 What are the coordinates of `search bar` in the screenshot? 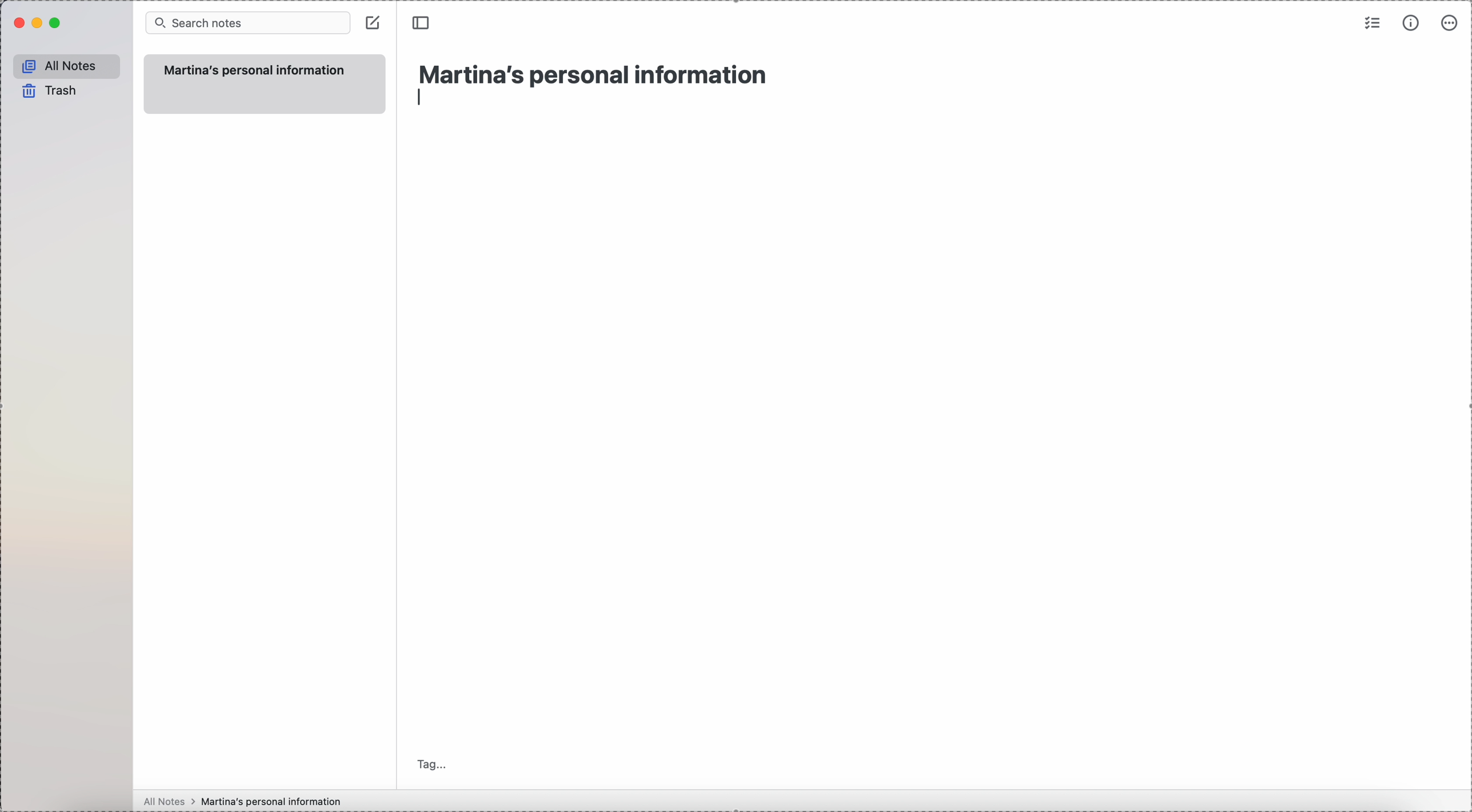 It's located at (249, 23).